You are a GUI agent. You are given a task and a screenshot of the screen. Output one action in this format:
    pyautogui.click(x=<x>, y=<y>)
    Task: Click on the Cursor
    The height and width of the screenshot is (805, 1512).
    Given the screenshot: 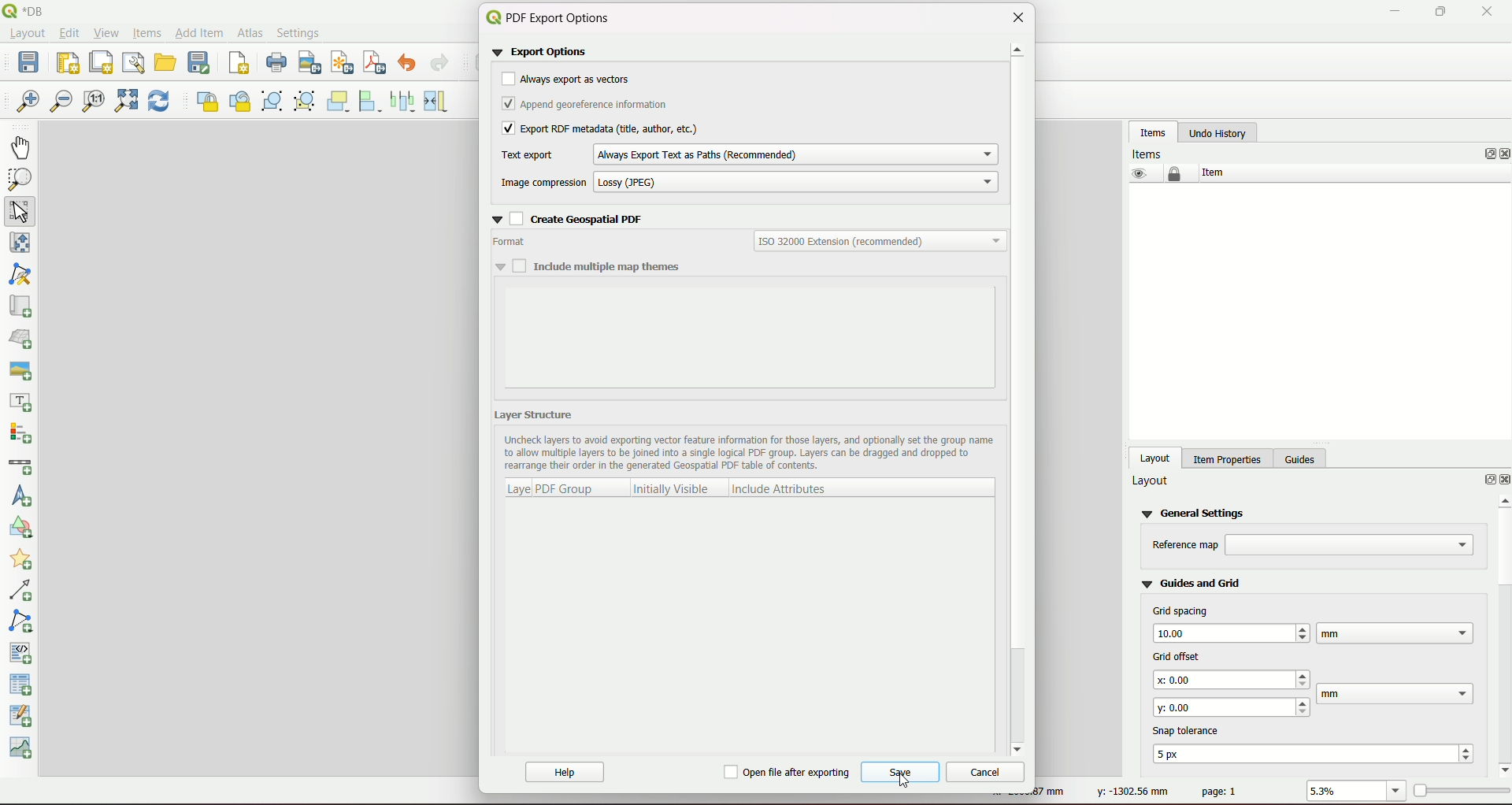 What is the action you would take?
    pyautogui.click(x=908, y=777)
    